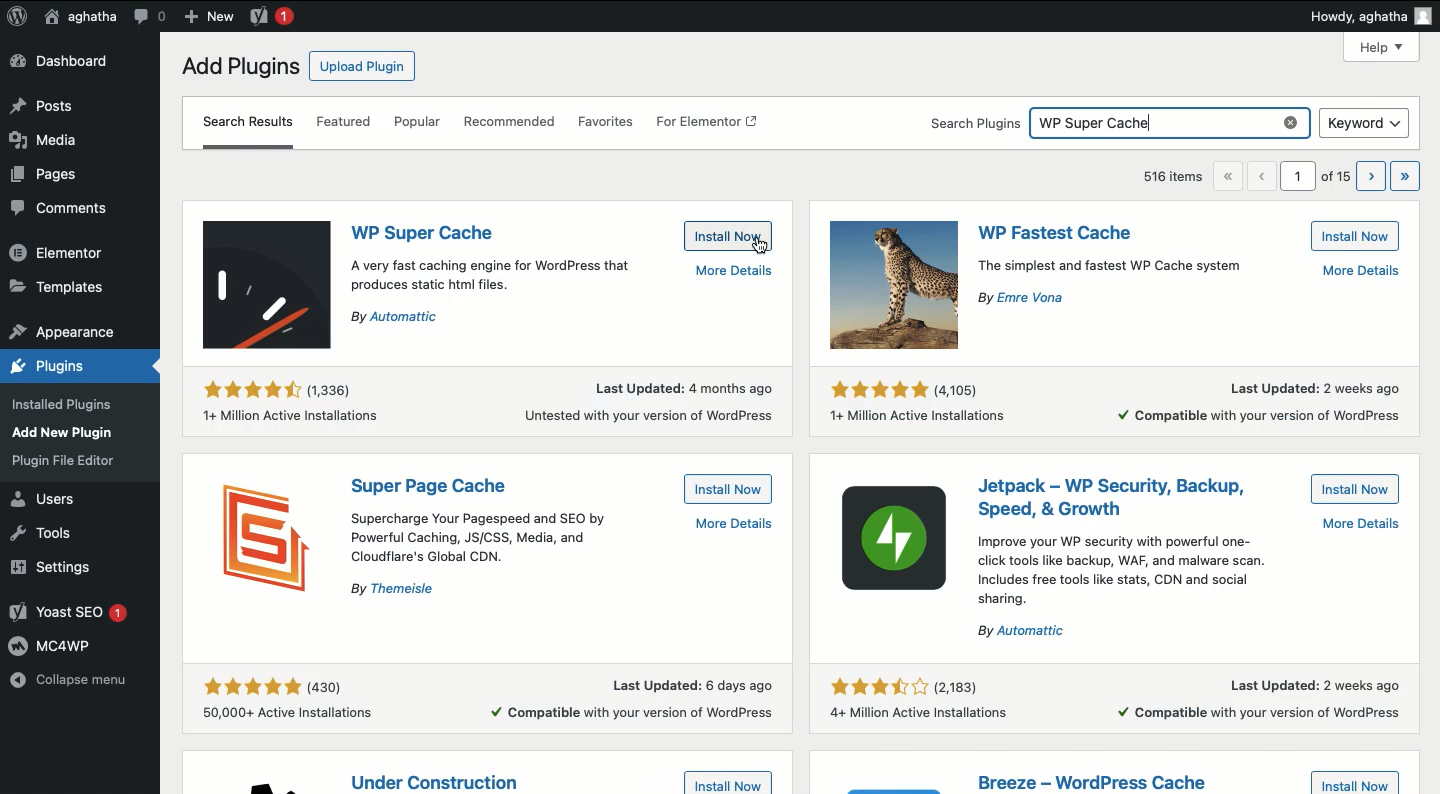 Image resolution: width=1440 pixels, height=794 pixels. Describe the element at coordinates (243, 121) in the screenshot. I see `search results` at that location.